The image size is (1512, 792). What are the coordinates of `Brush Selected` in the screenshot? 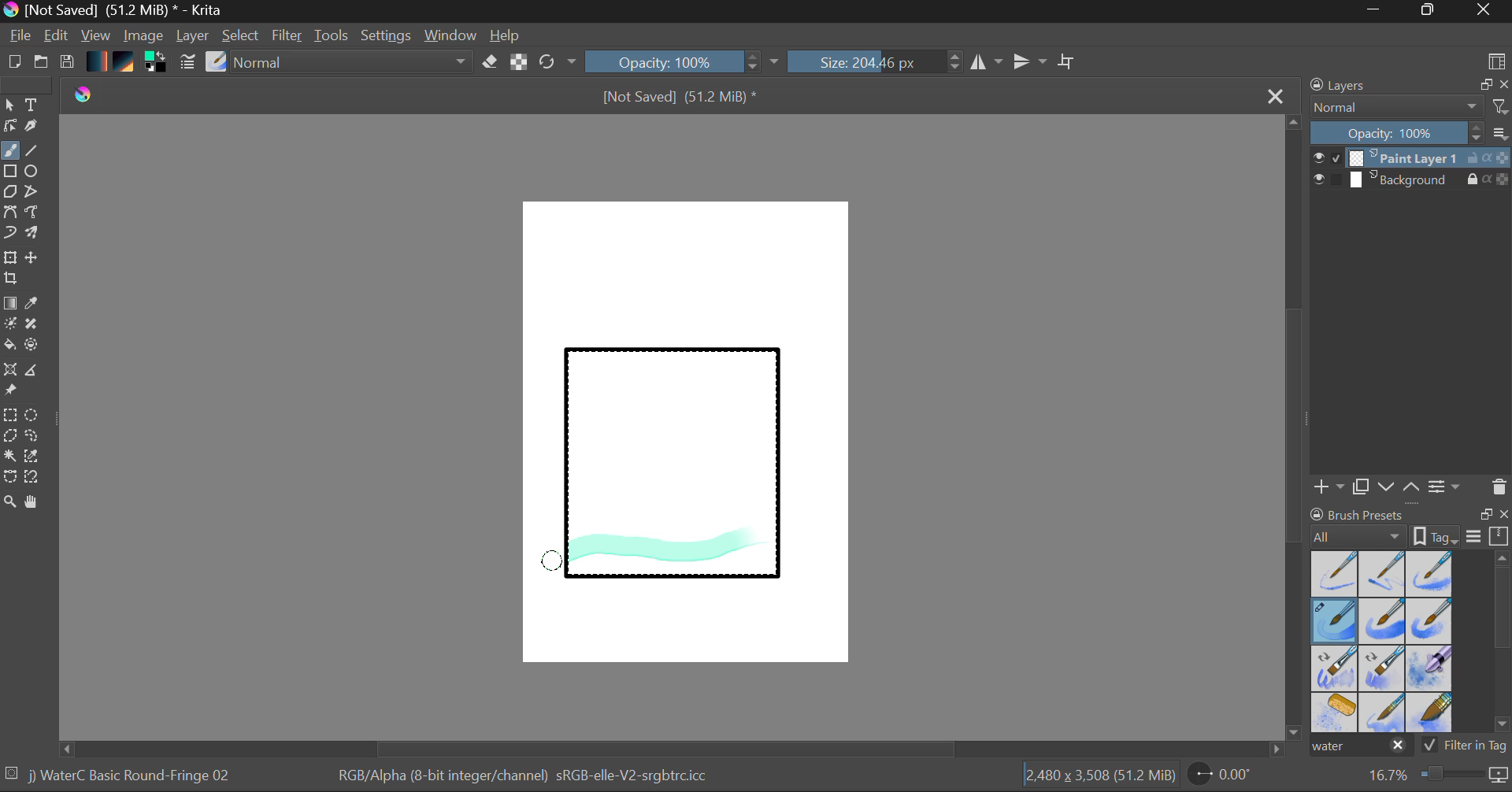 It's located at (132, 777).